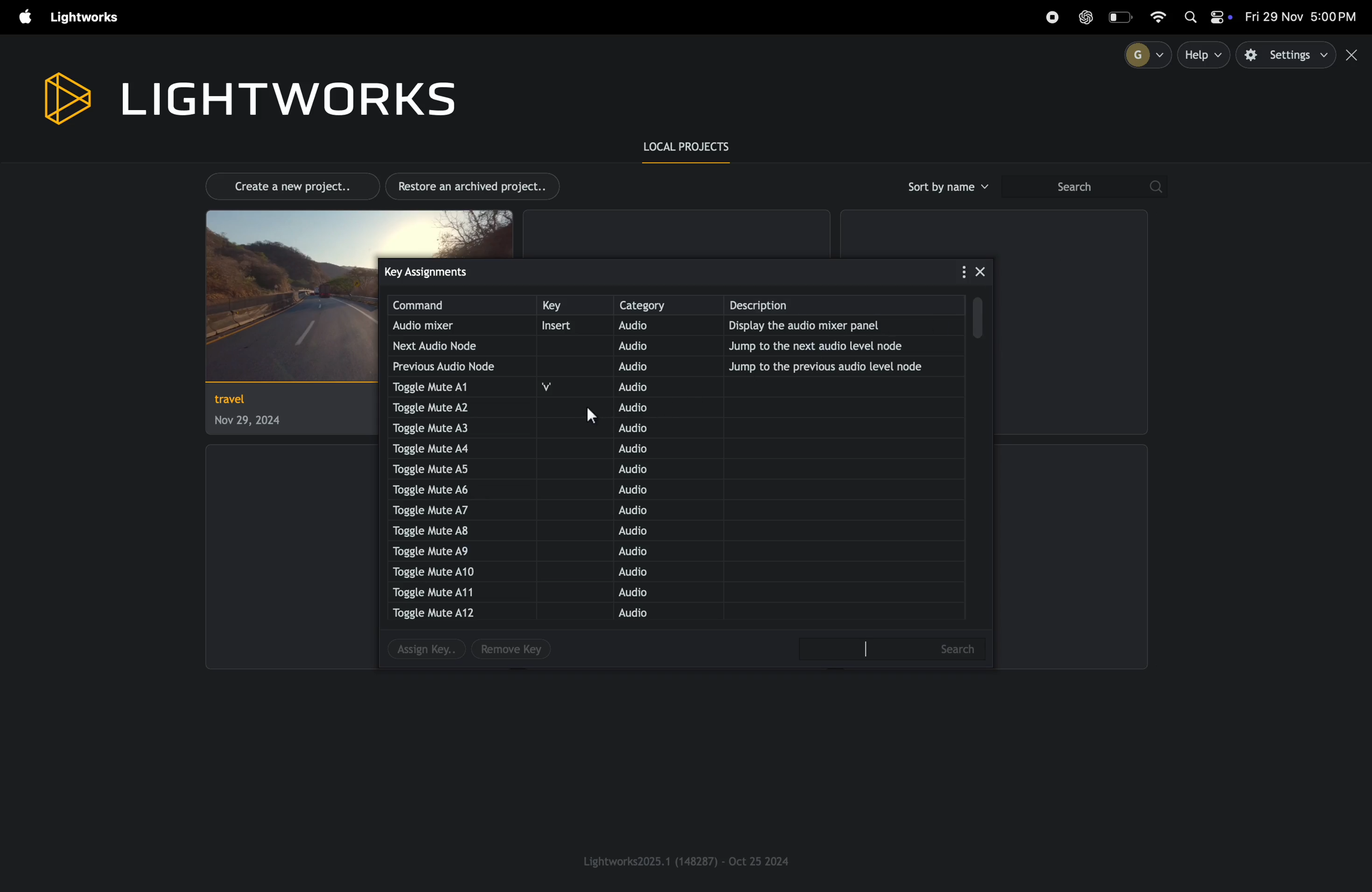 The width and height of the screenshot is (1372, 892). Describe the element at coordinates (446, 512) in the screenshot. I see `toggle muteA7` at that location.